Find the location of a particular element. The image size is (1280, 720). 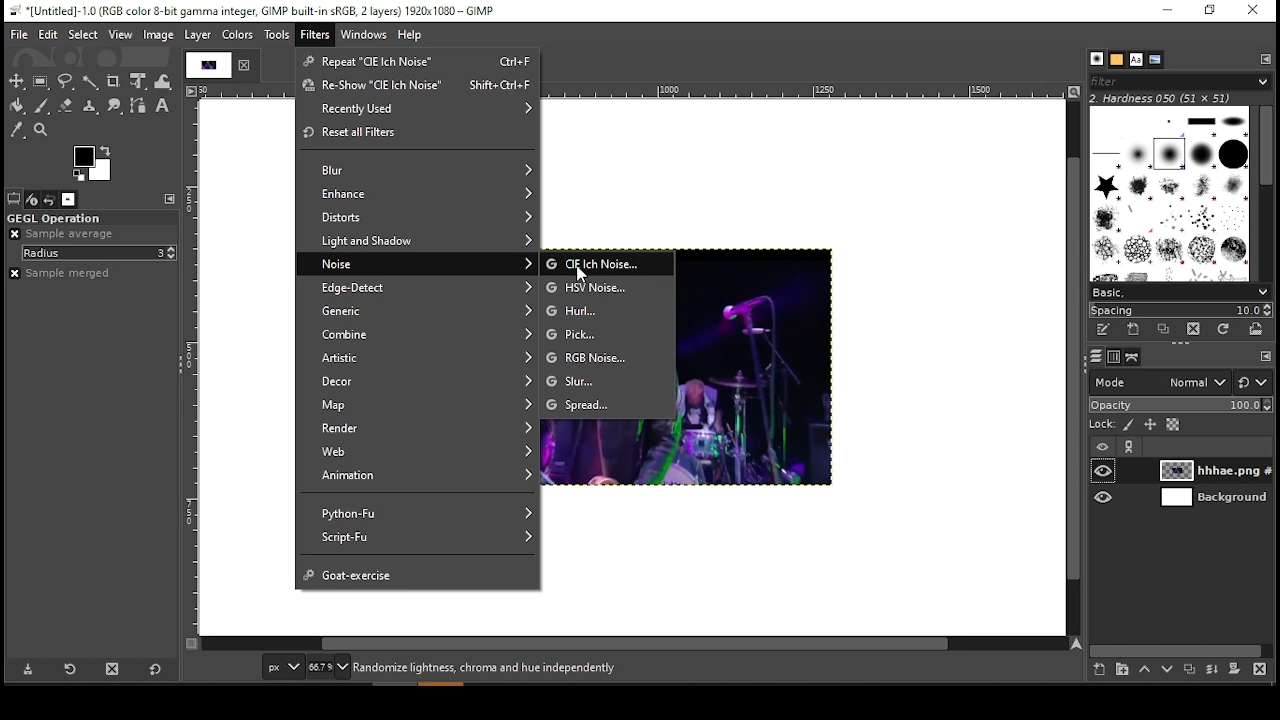

zoom status is located at coordinates (329, 666).